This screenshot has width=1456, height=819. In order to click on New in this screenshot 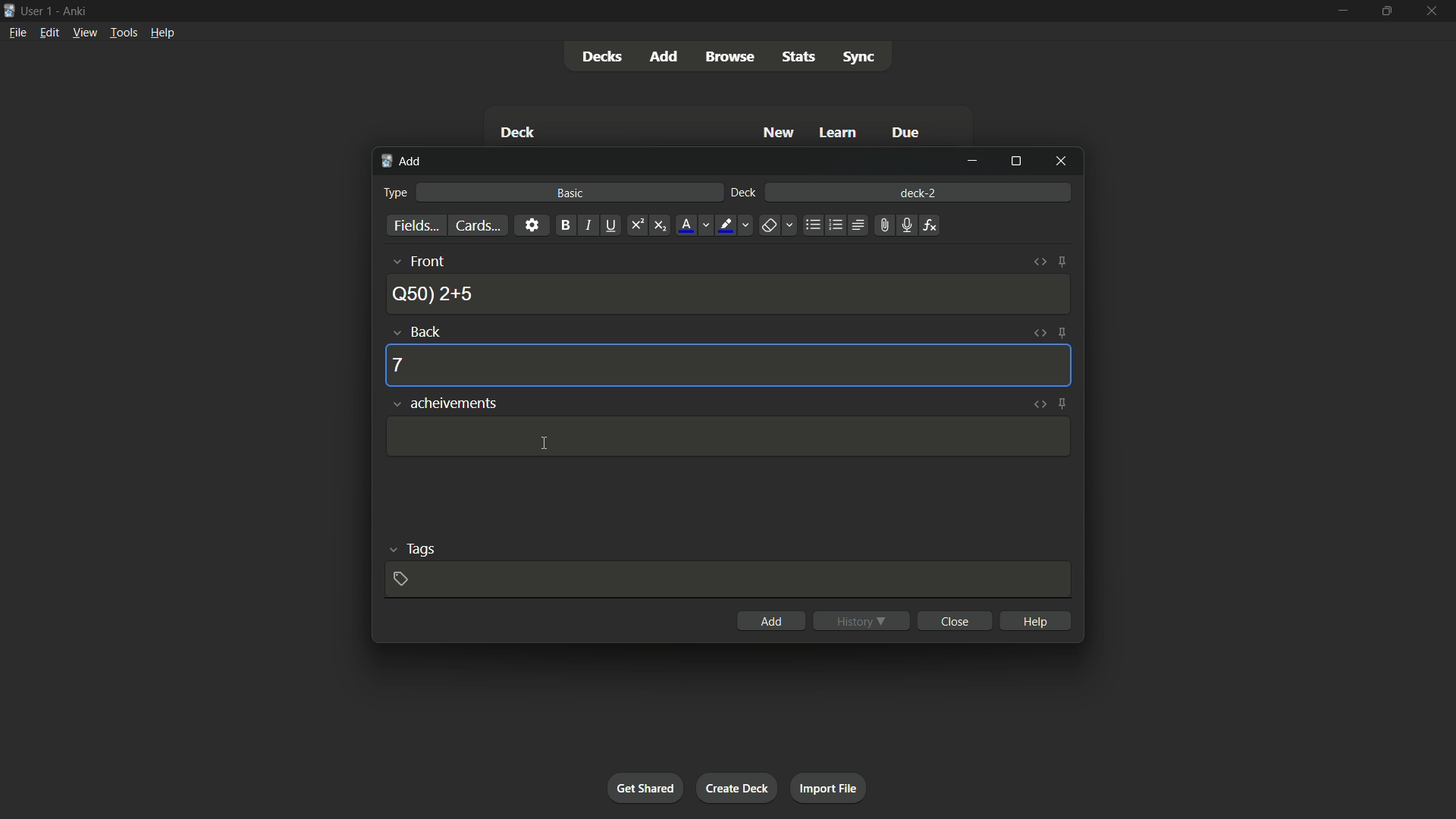, I will do `click(777, 133)`.